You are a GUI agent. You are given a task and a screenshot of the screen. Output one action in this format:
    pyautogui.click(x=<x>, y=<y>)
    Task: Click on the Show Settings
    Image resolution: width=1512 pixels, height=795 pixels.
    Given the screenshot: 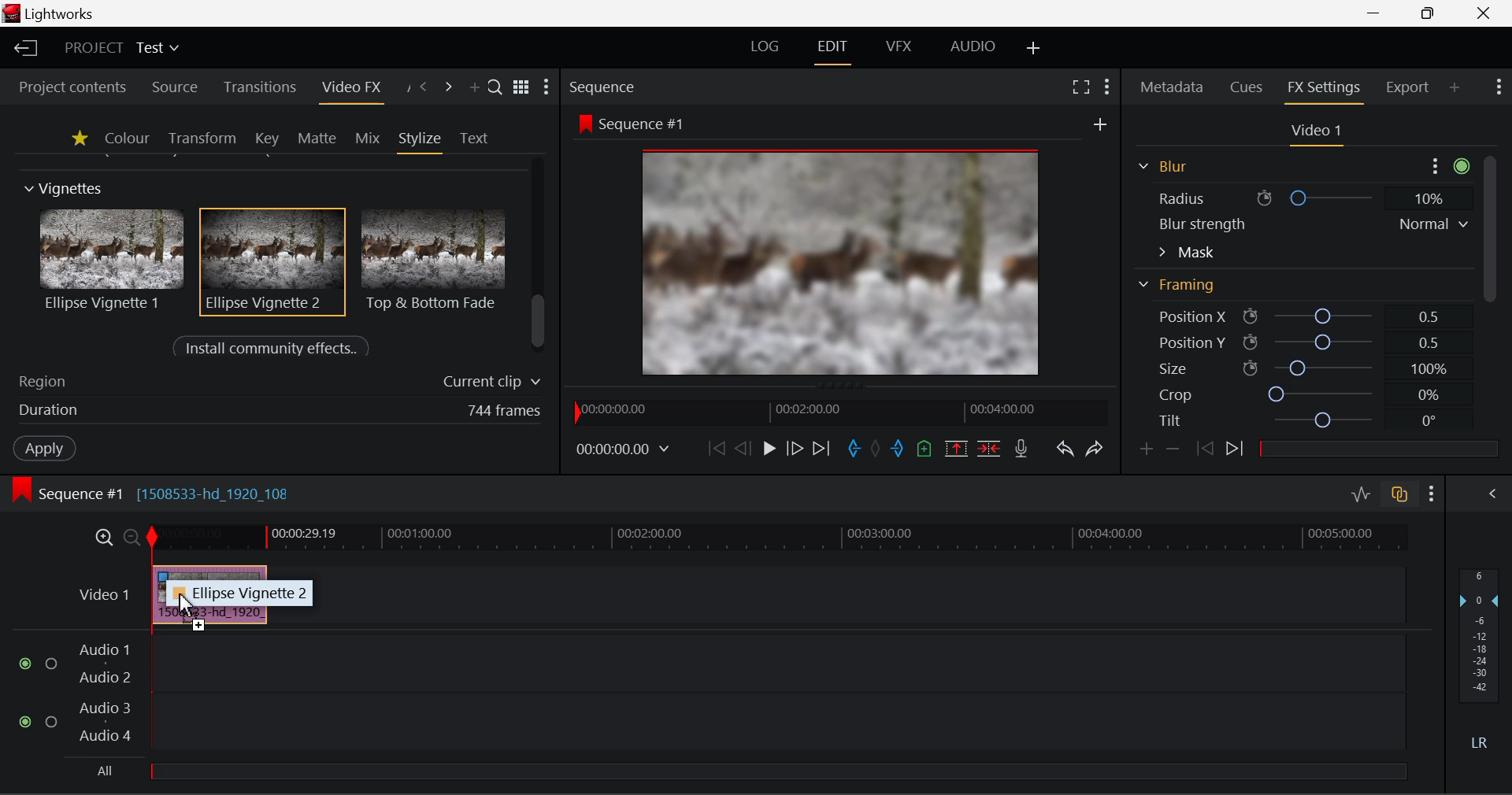 What is the action you would take?
    pyautogui.click(x=1501, y=89)
    